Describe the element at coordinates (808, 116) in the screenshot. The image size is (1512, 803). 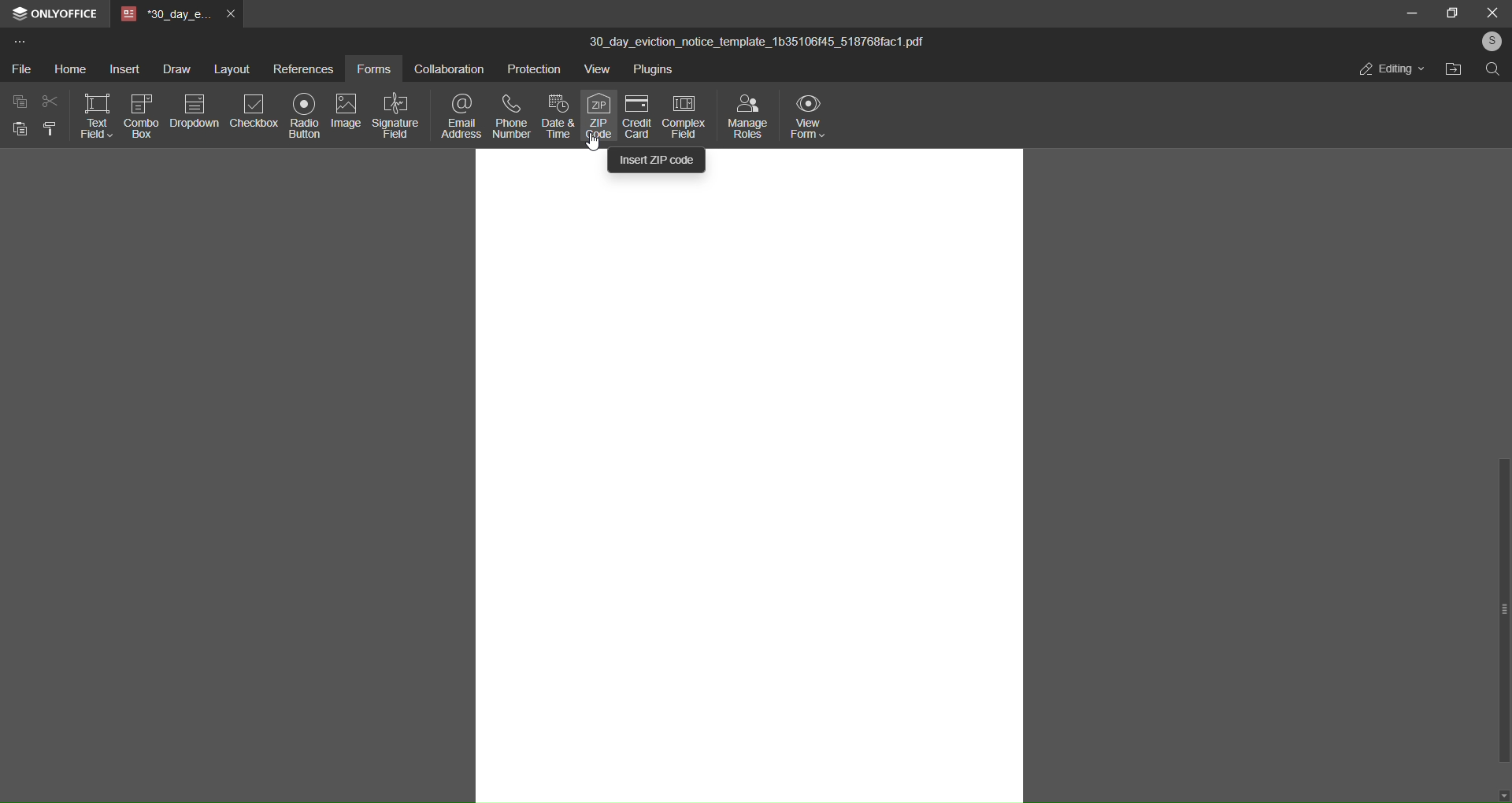
I see `view form` at that location.